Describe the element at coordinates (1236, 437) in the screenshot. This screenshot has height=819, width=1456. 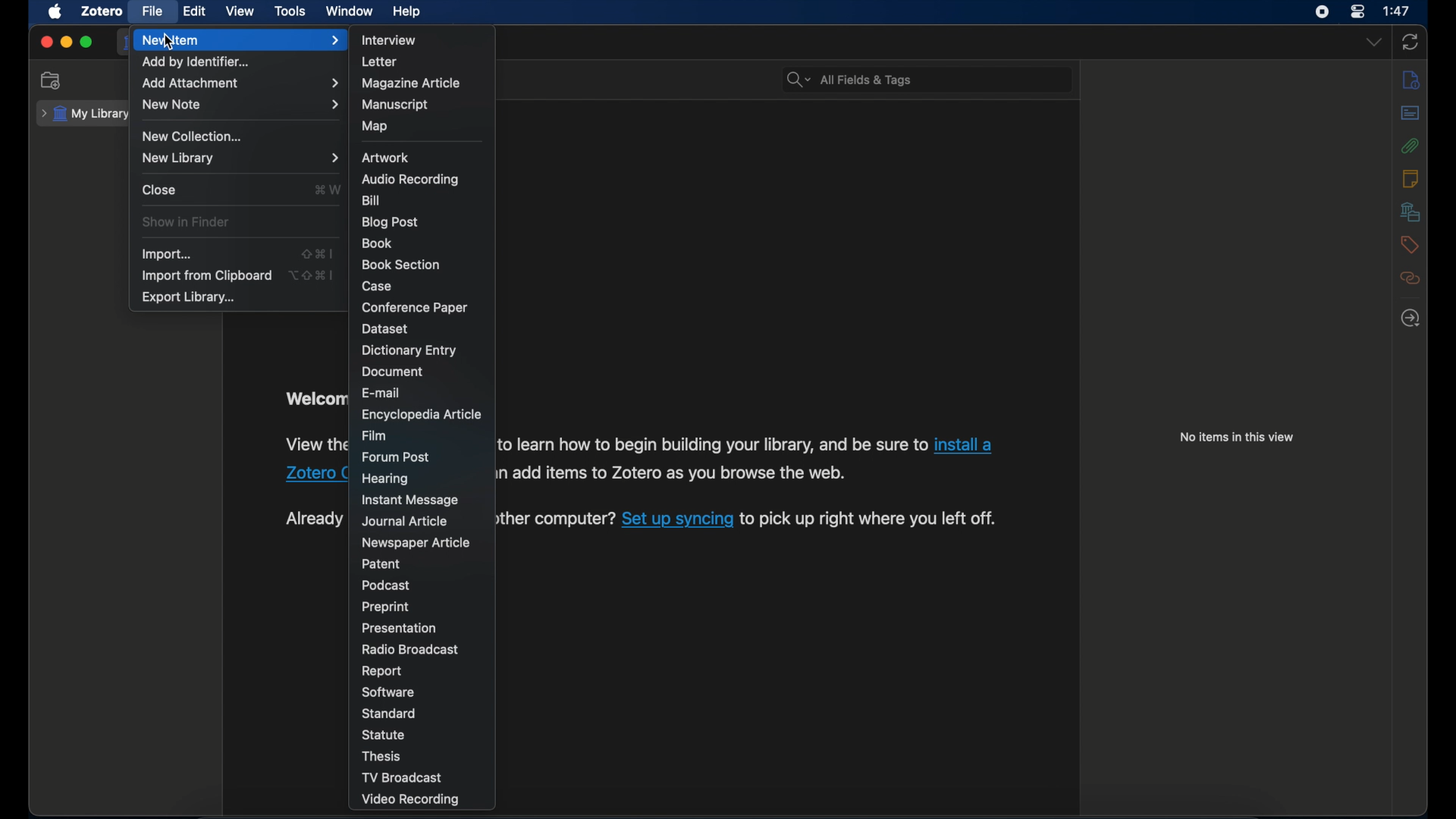
I see `no items in this view` at that location.